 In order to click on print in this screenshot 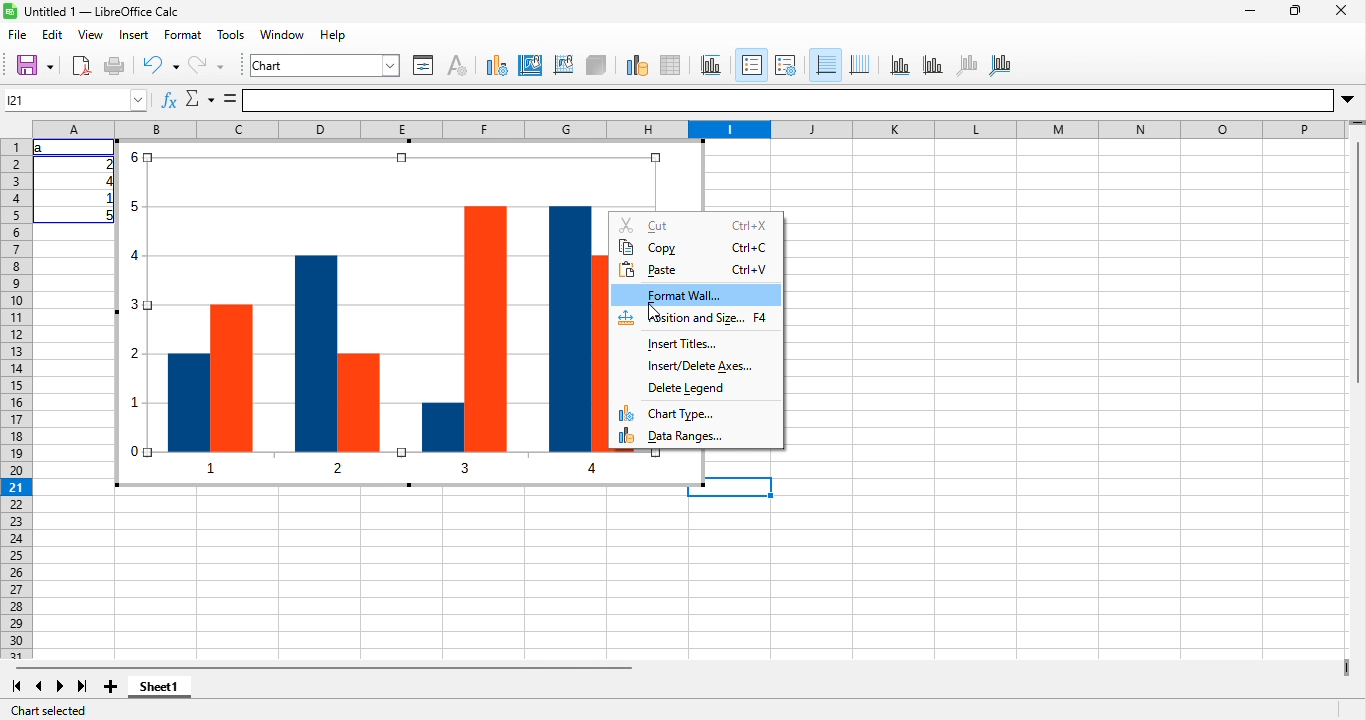, I will do `click(114, 66)`.